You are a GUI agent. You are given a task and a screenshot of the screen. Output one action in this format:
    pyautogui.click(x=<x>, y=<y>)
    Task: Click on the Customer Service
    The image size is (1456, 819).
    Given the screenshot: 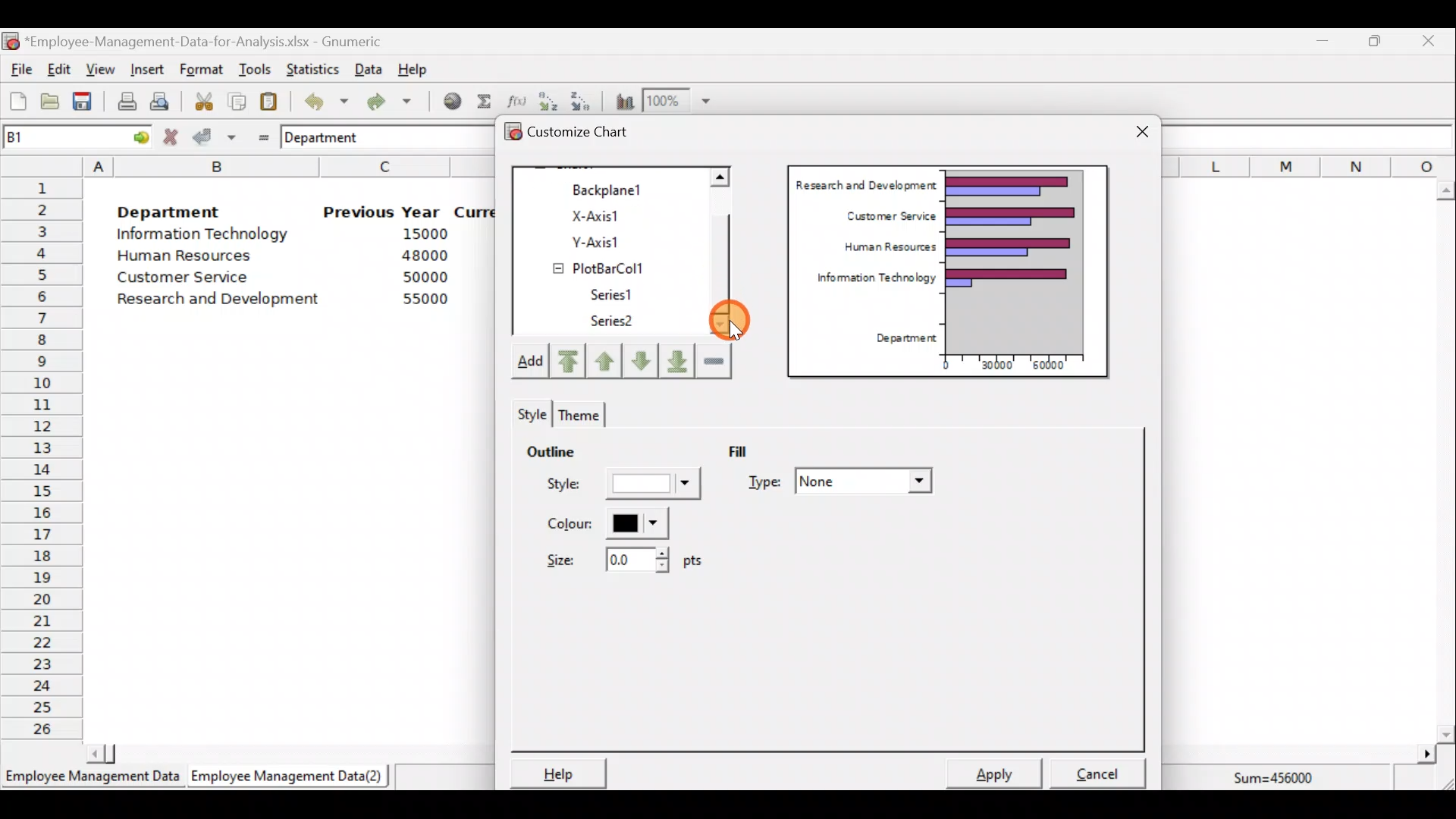 What is the action you would take?
    pyautogui.click(x=187, y=281)
    